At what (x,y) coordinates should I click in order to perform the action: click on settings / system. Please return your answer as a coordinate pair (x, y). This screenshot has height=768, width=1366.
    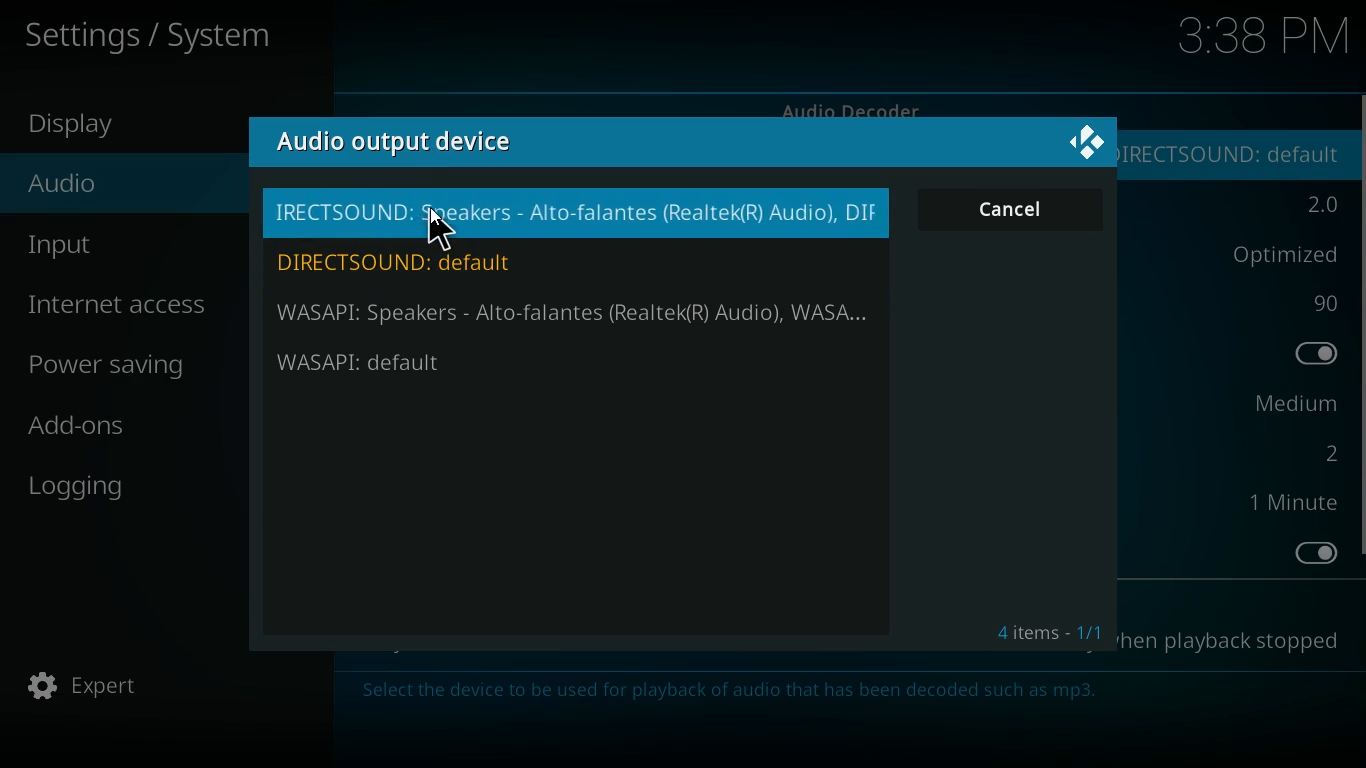
    Looking at the image, I should click on (159, 33).